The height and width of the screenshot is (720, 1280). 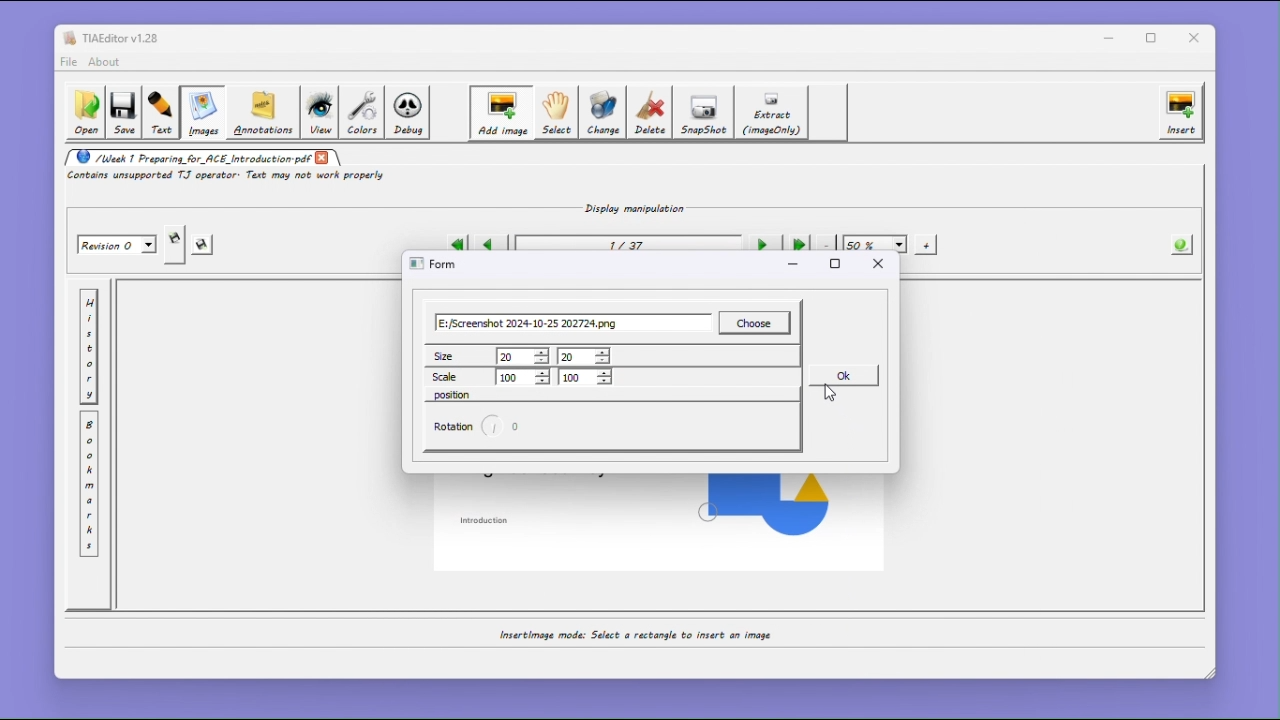 I want to click on rotation, so click(x=453, y=427).